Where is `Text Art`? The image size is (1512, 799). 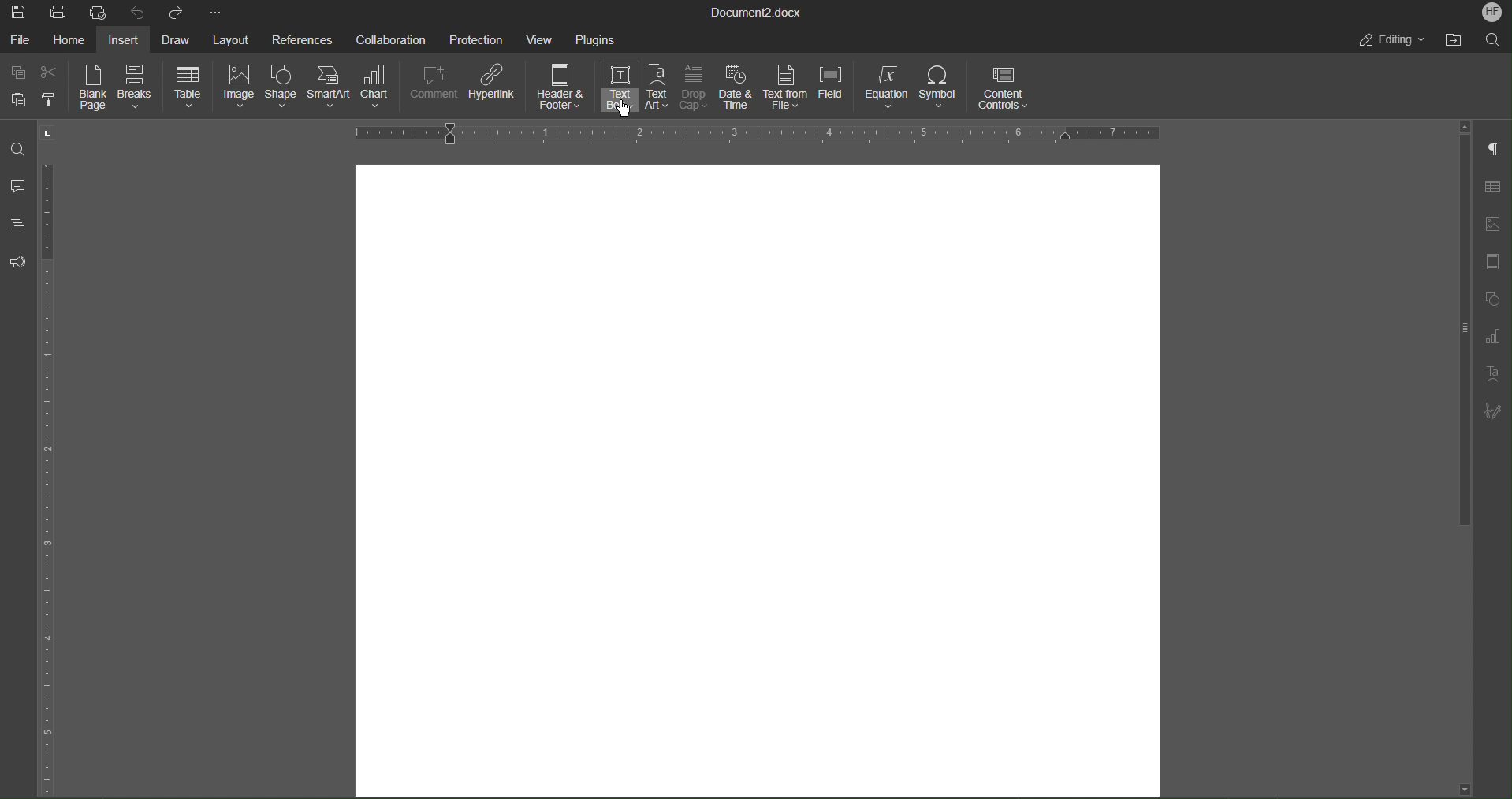
Text Art is located at coordinates (1492, 373).